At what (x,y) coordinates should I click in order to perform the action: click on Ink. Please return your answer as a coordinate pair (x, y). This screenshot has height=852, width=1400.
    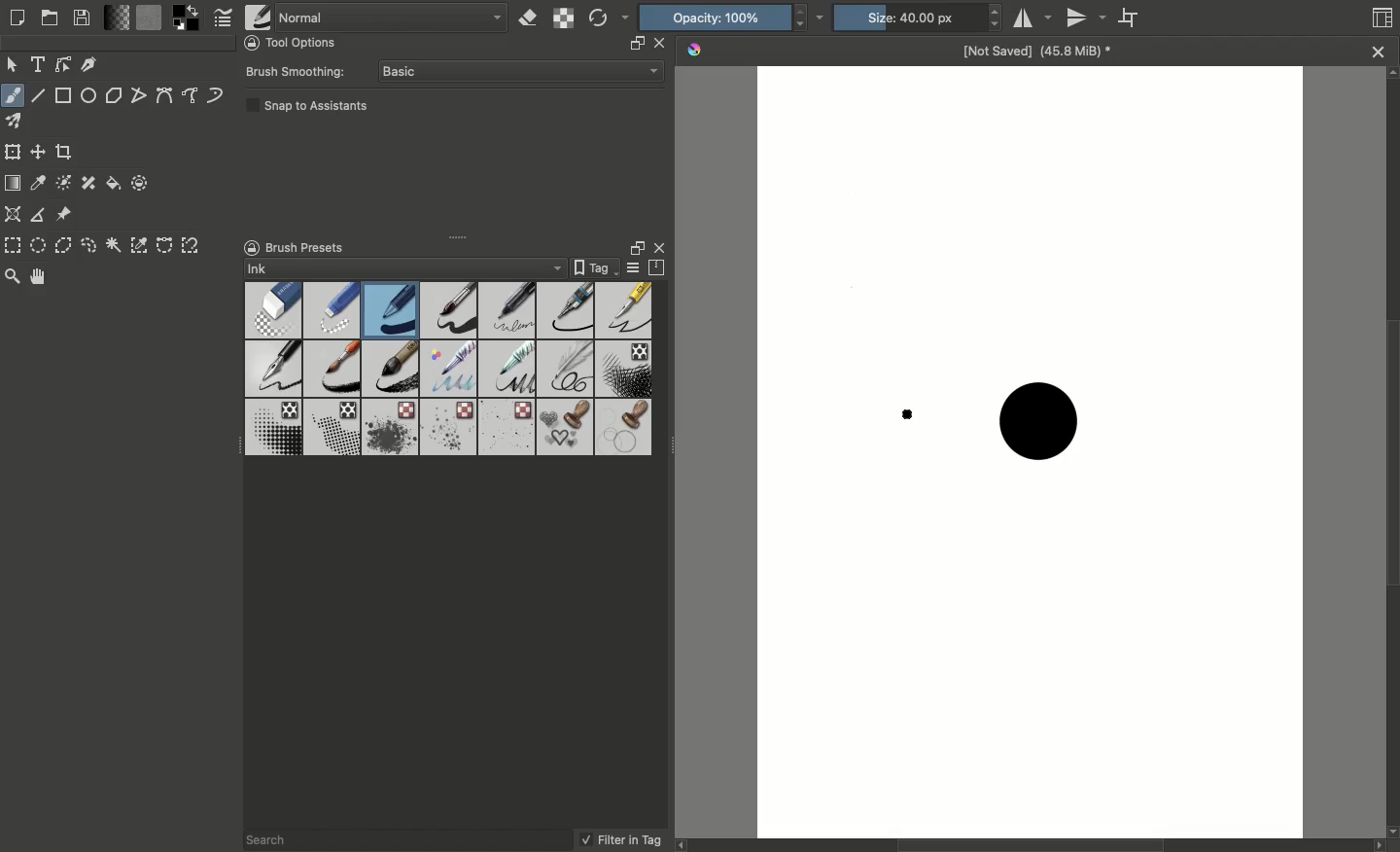
    Looking at the image, I should click on (403, 268).